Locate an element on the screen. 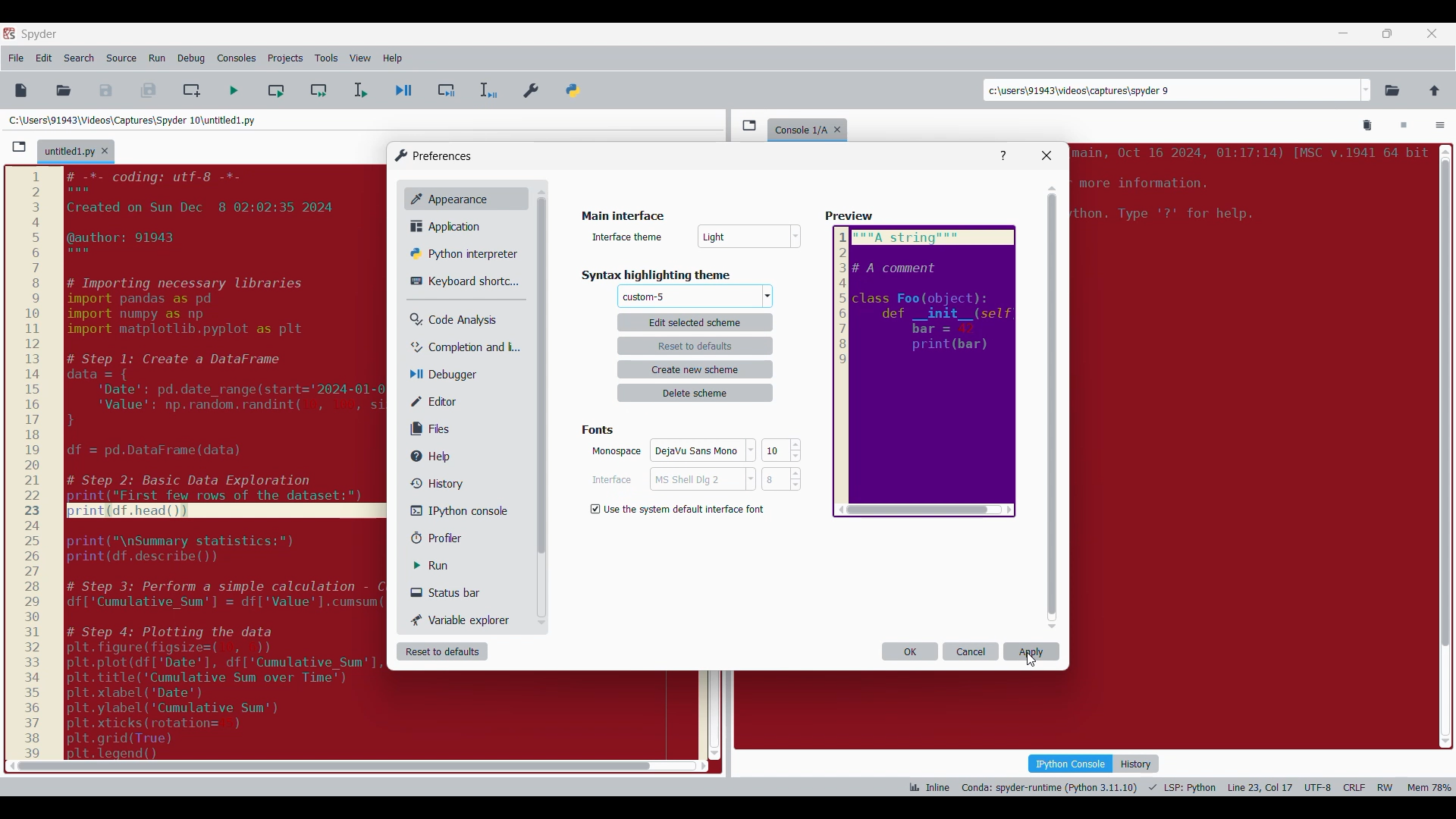 This screenshot has width=1456, height=819. Variable explorer is located at coordinates (462, 620).